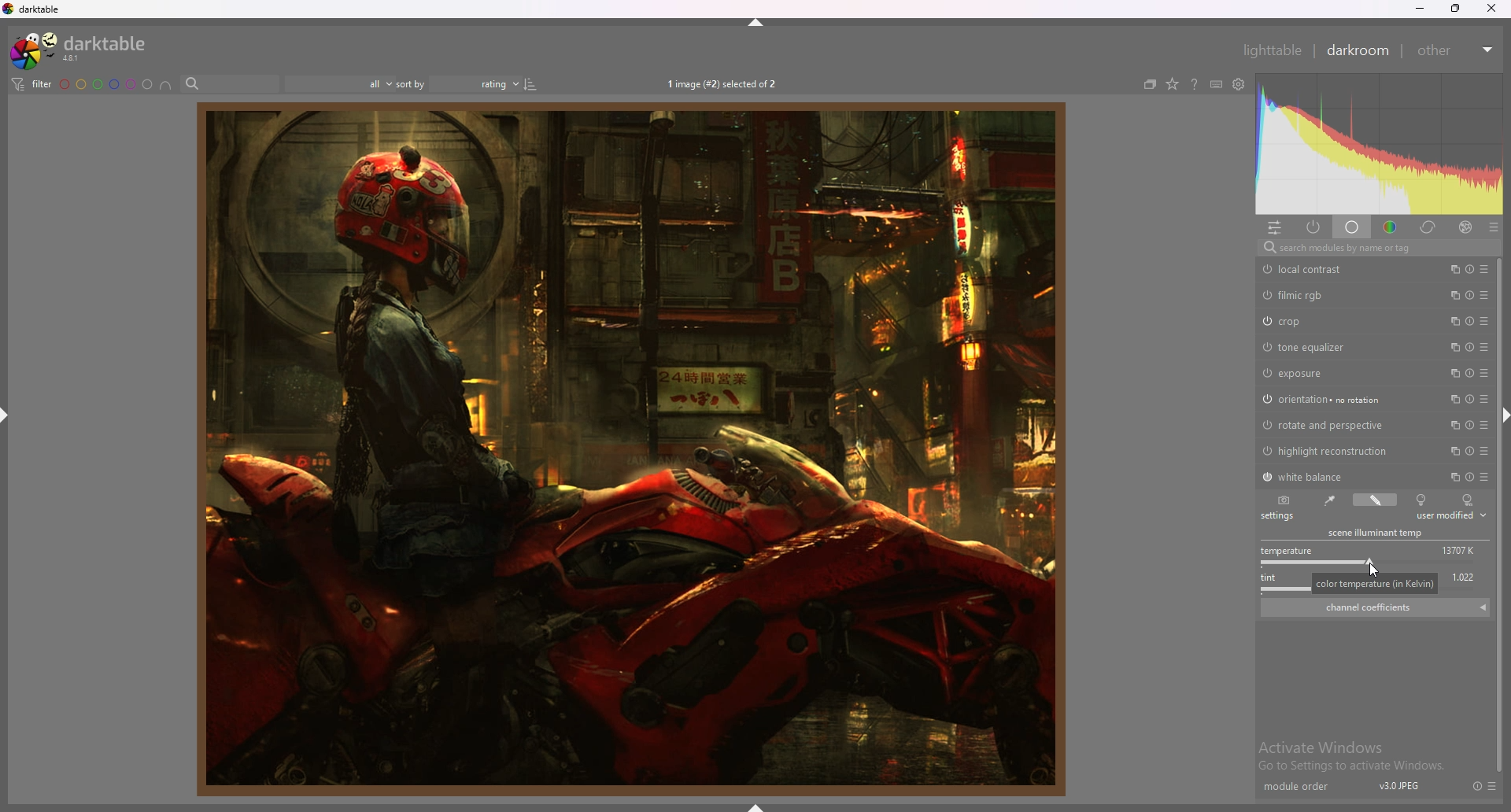 The image size is (1511, 812). What do you see at coordinates (1451, 477) in the screenshot?
I see `multiple instances action` at bounding box center [1451, 477].